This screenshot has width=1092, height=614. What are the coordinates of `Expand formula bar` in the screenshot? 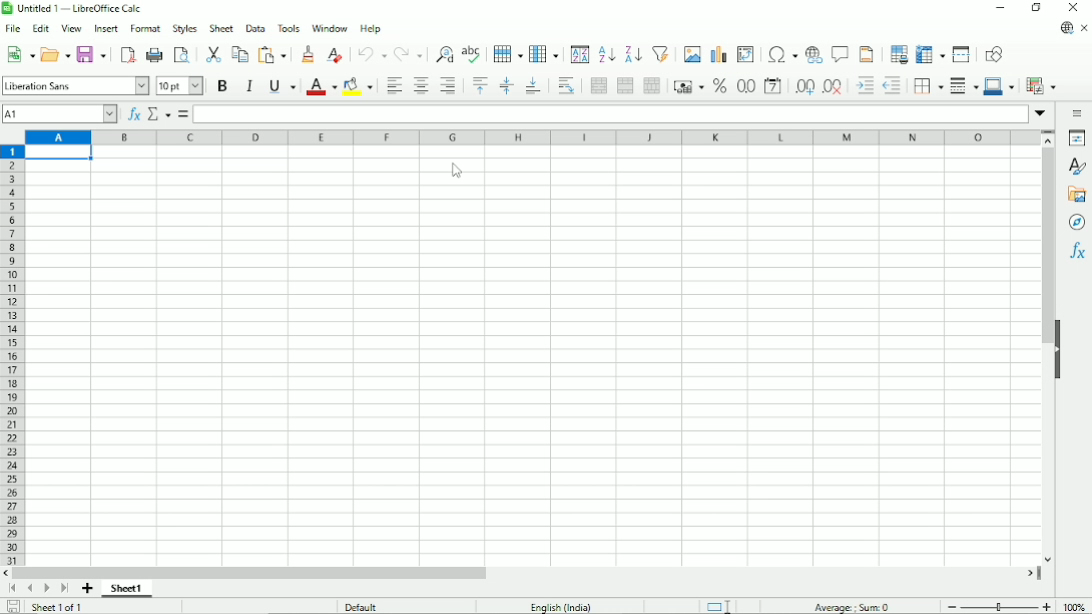 It's located at (1042, 114).